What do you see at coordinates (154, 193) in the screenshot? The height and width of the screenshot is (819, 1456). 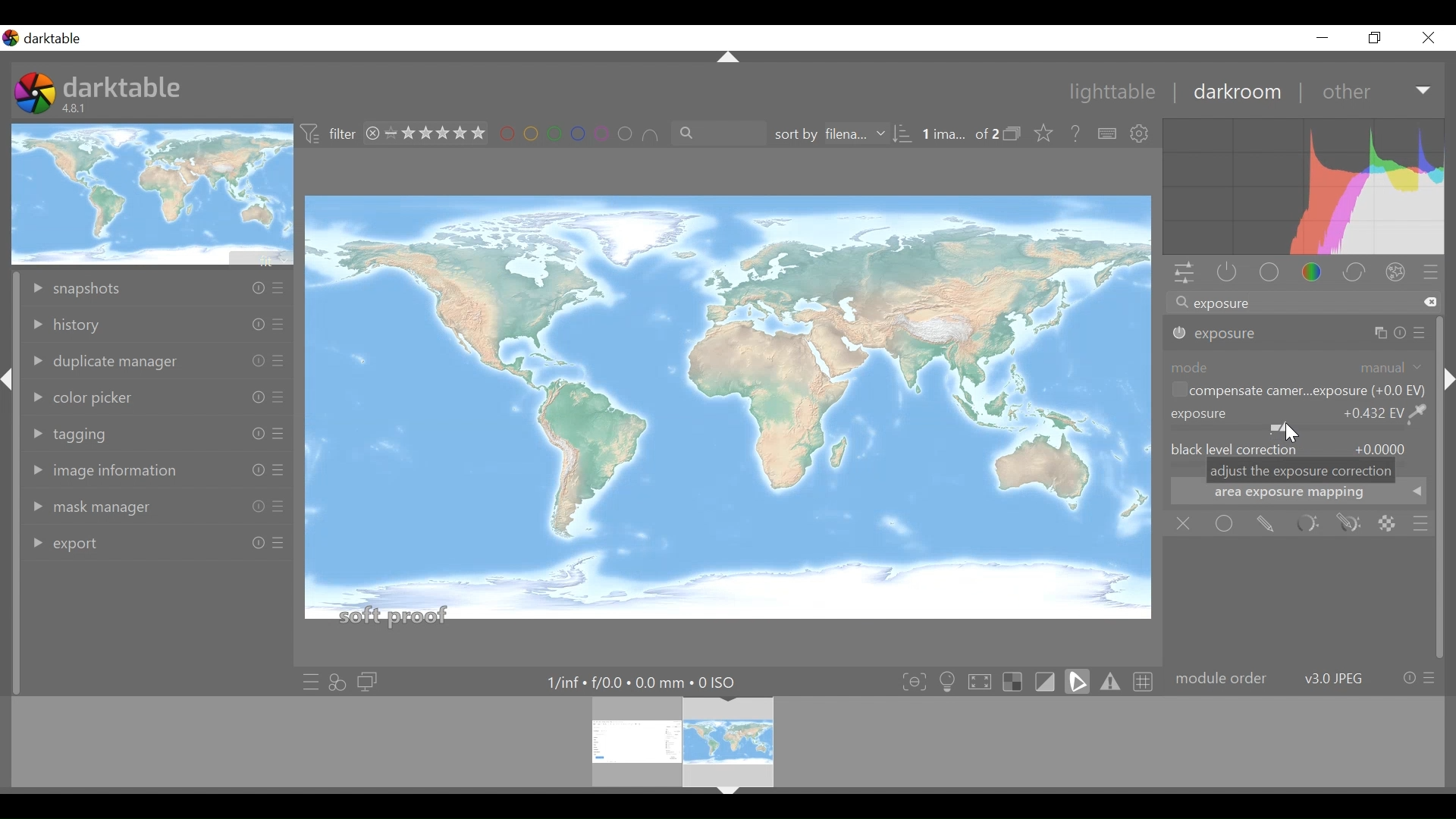 I see `image preview` at bounding box center [154, 193].